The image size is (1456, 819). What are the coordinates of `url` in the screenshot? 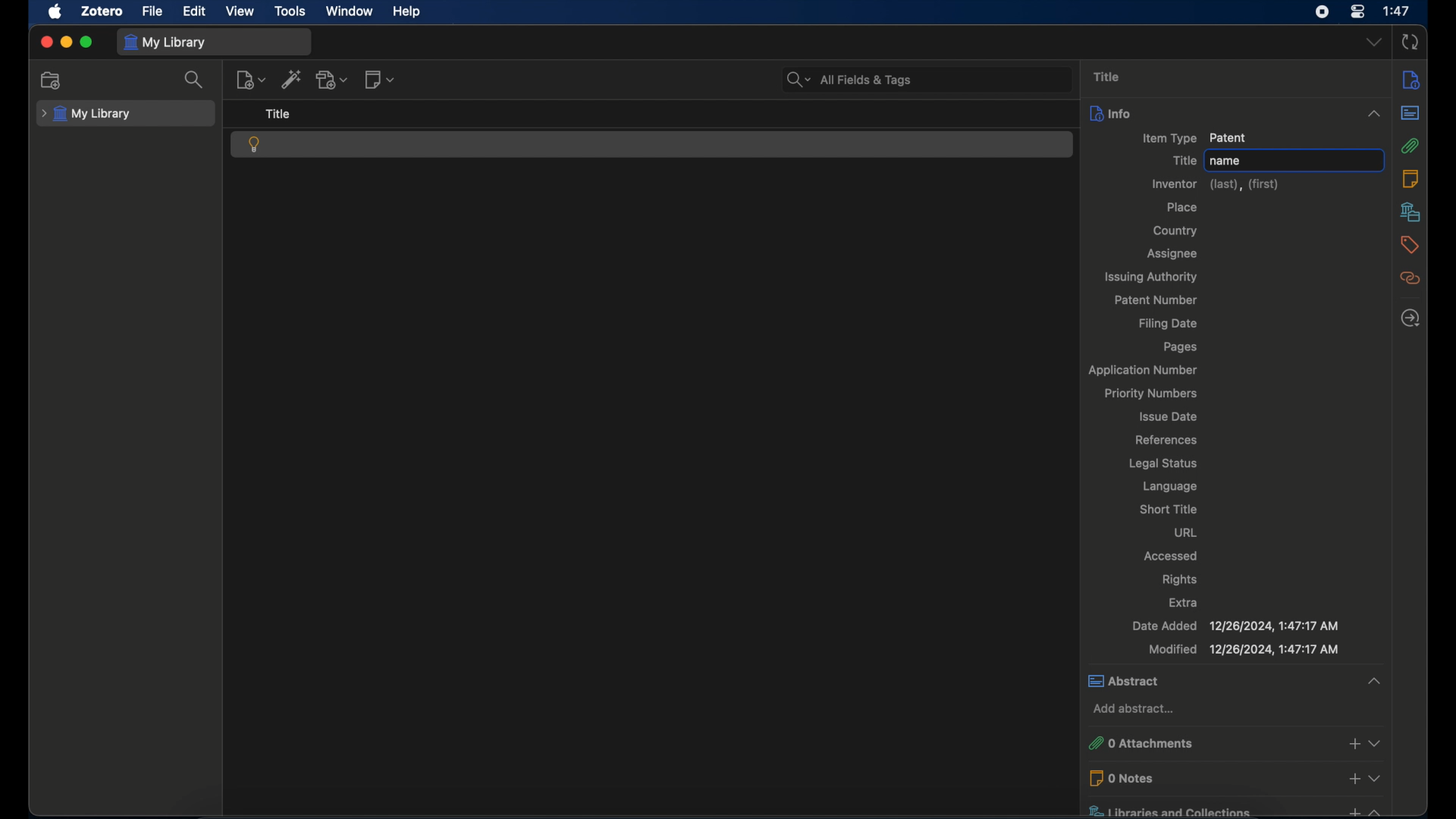 It's located at (1186, 532).